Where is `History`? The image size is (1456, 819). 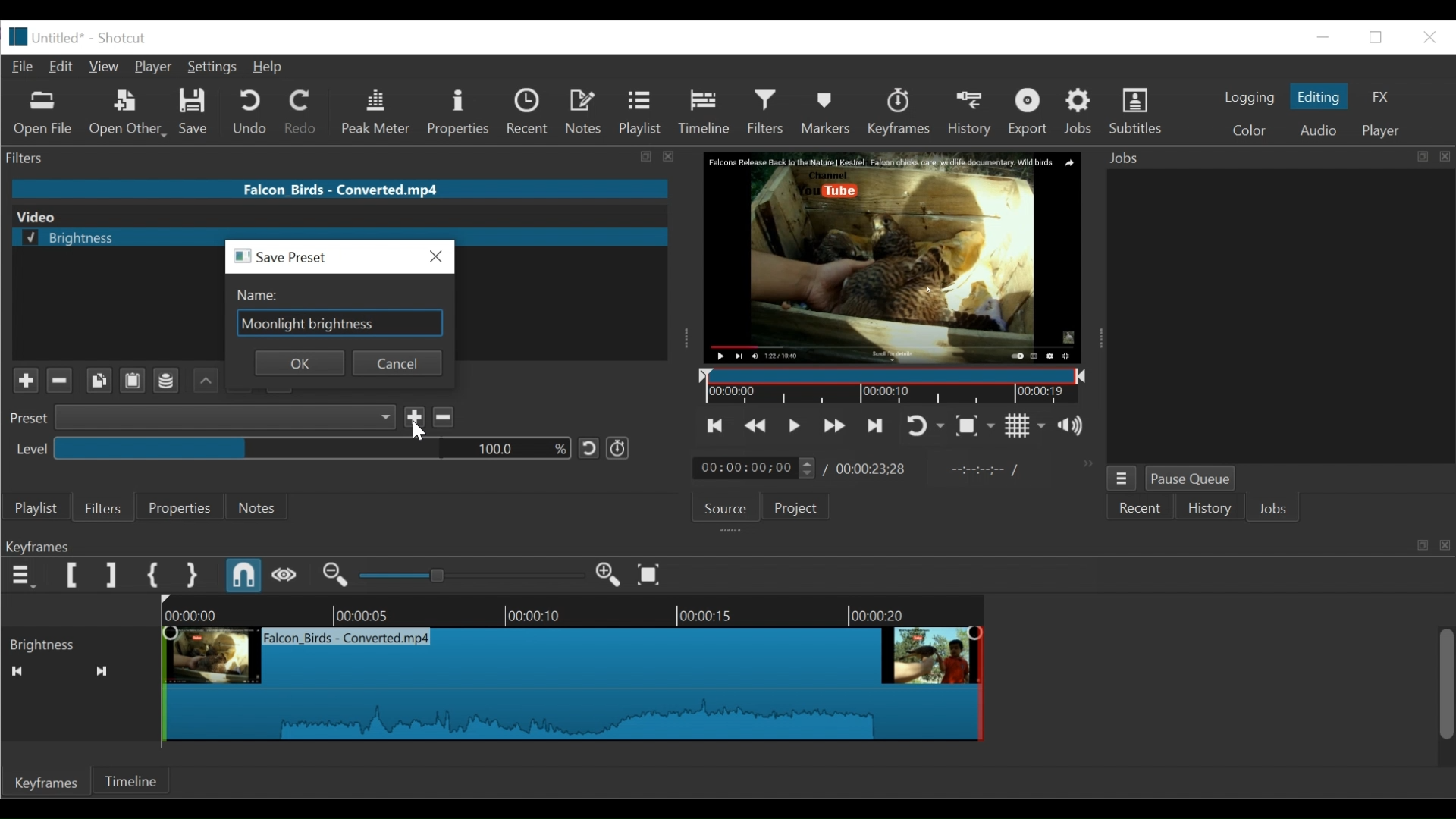
History is located at coordinates (970, 112).